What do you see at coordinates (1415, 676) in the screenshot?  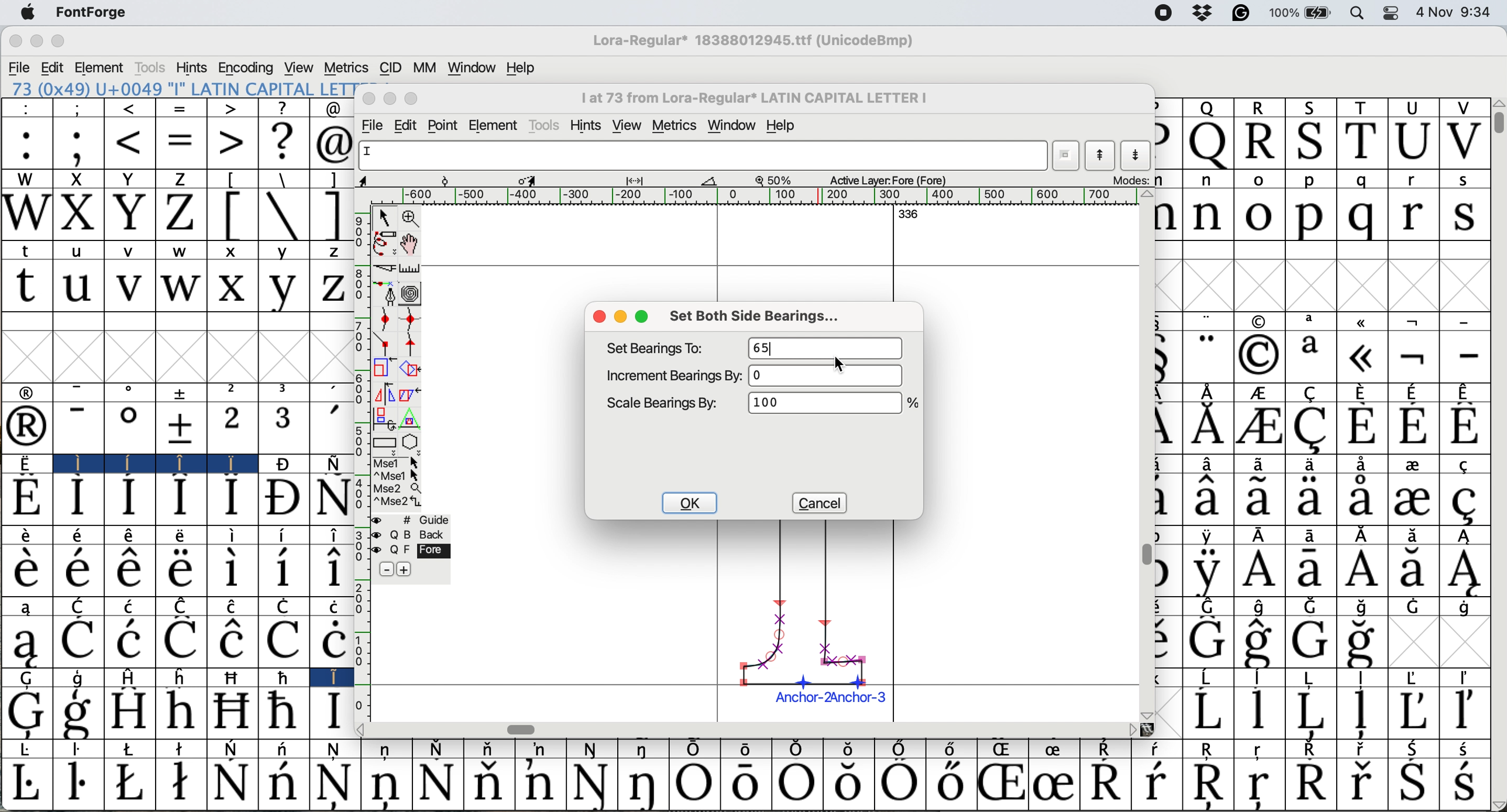 I see `Symbol` at bounding box center [1415, 676].